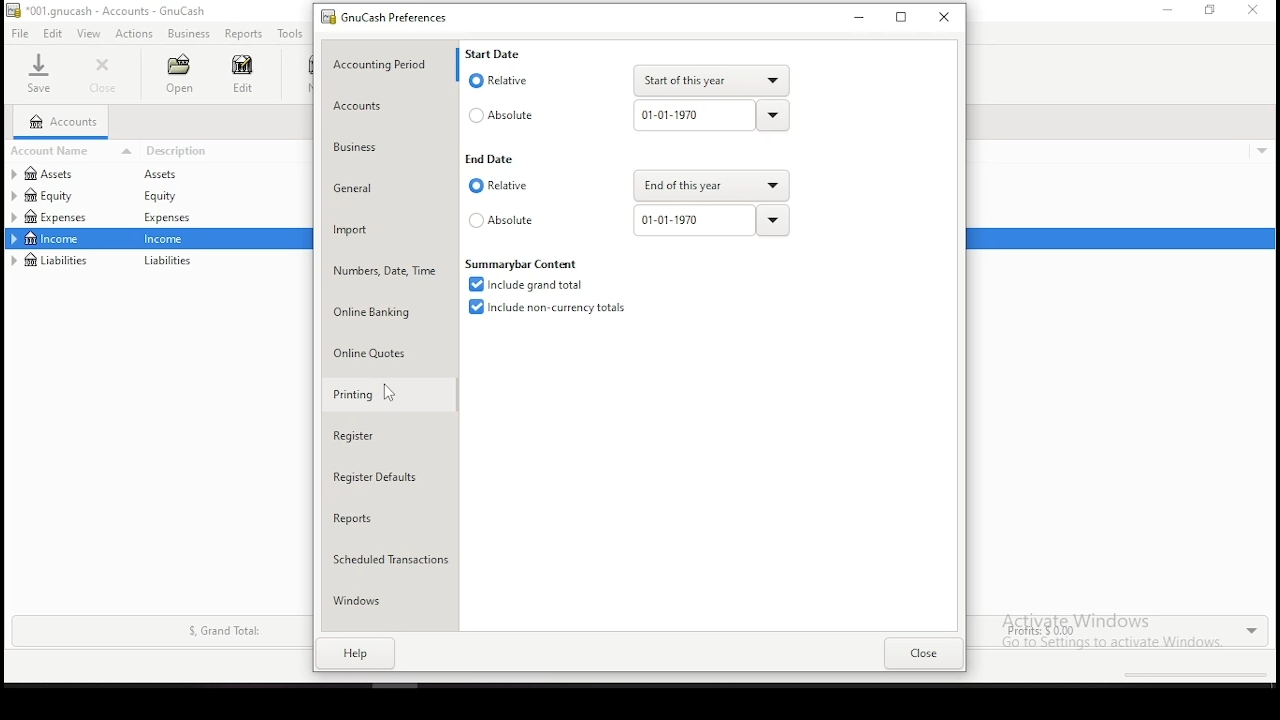  Describe the element at coordinates (66, 174) in the screenshot. I see `assets` at that location.